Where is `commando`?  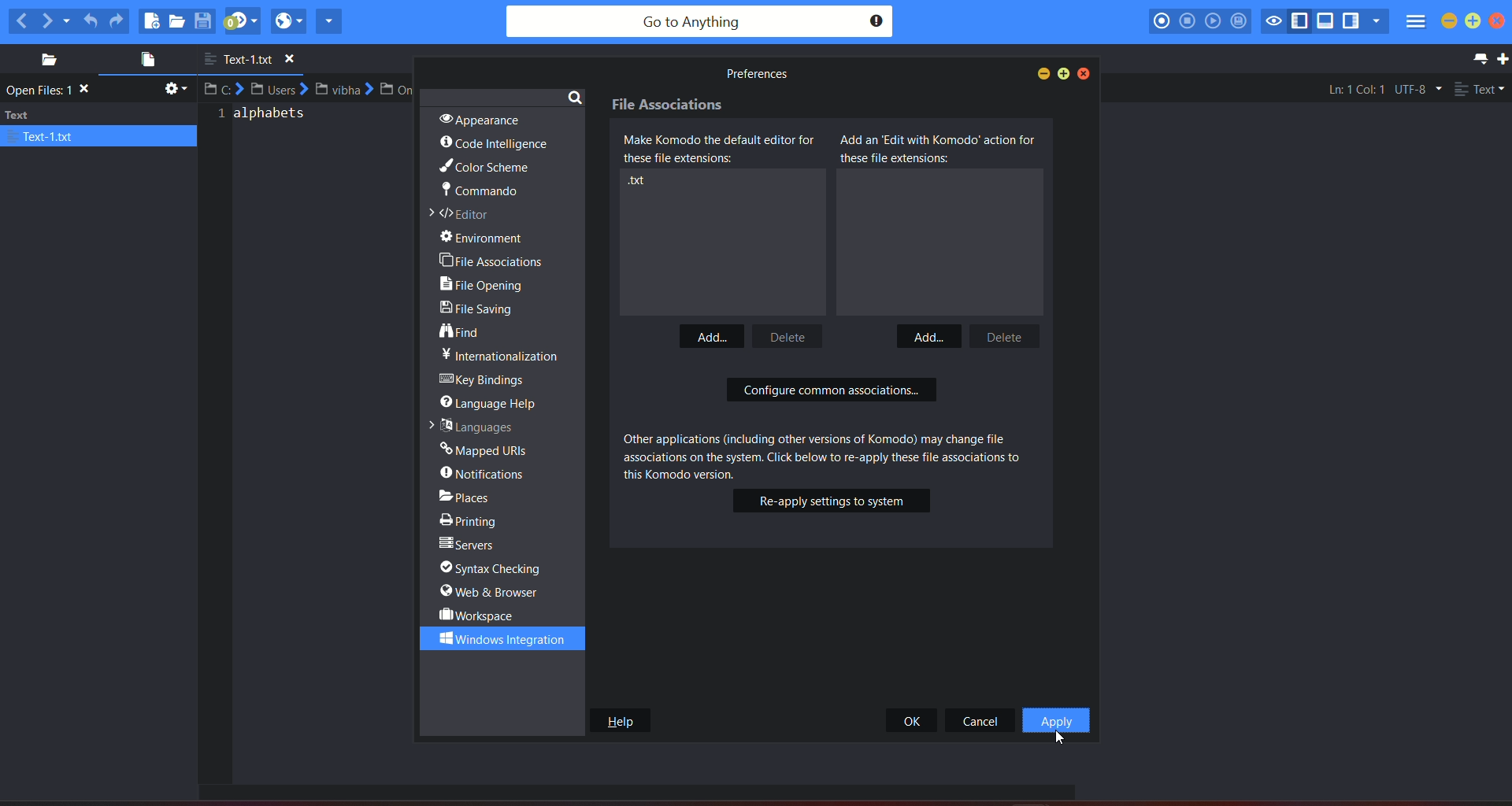 commando is located at coordinates (479, 193).